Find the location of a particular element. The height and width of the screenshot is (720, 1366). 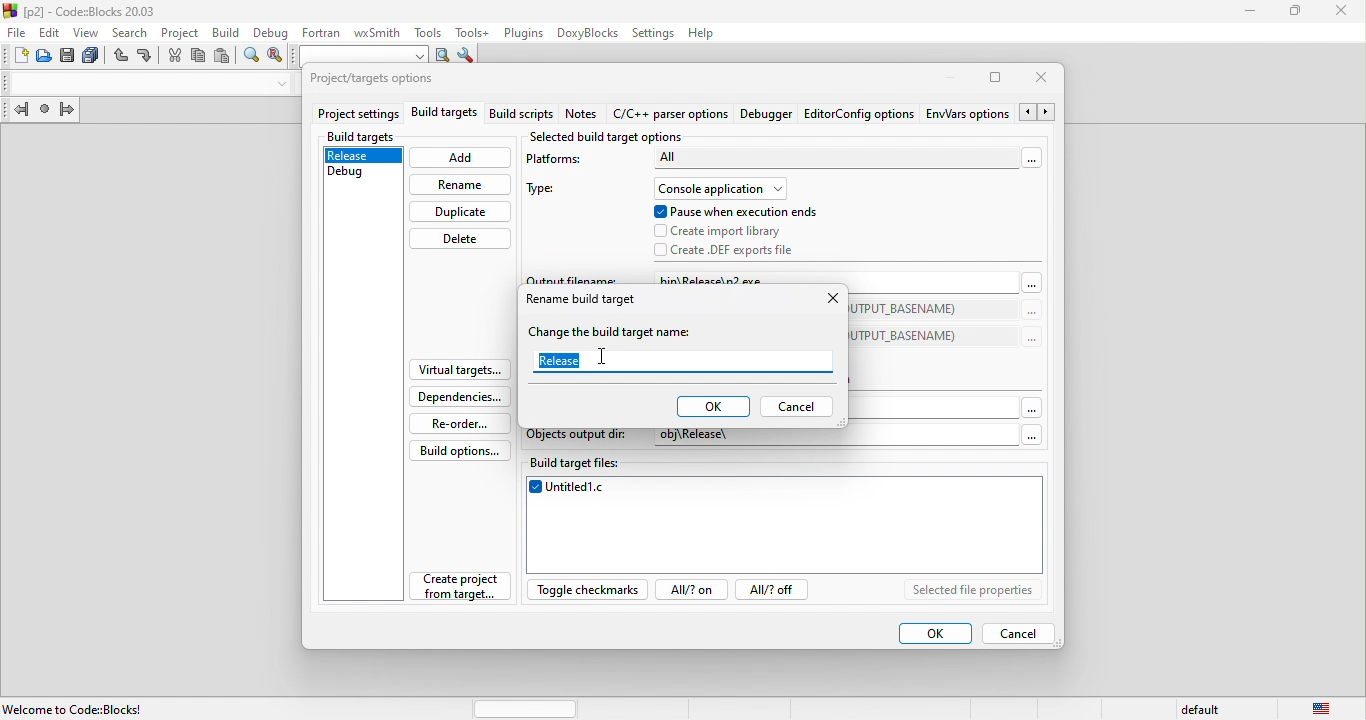

welcome to code blocks is located at coordinates (81, 707).